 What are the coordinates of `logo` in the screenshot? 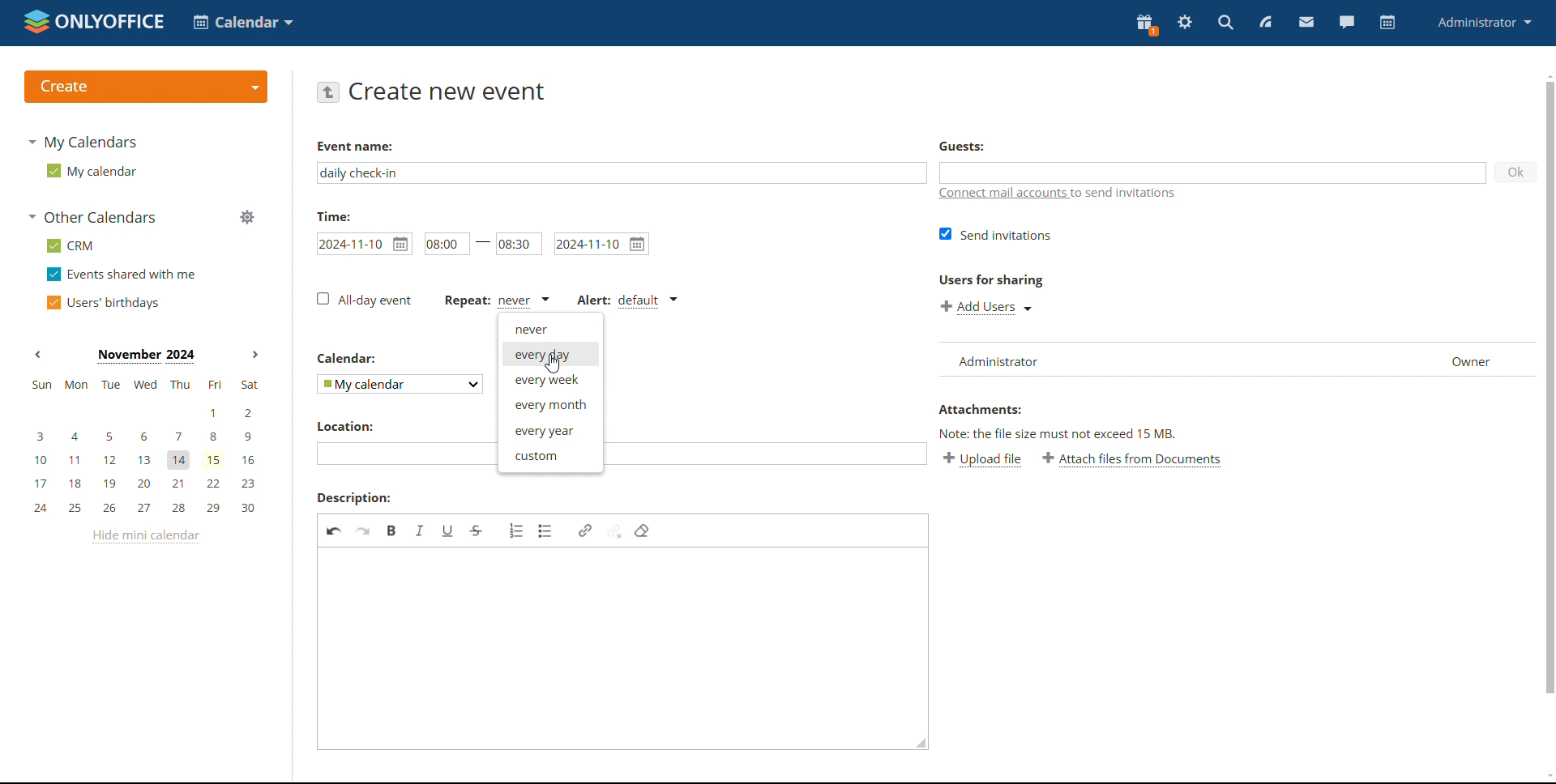 It's located at (94, 21).